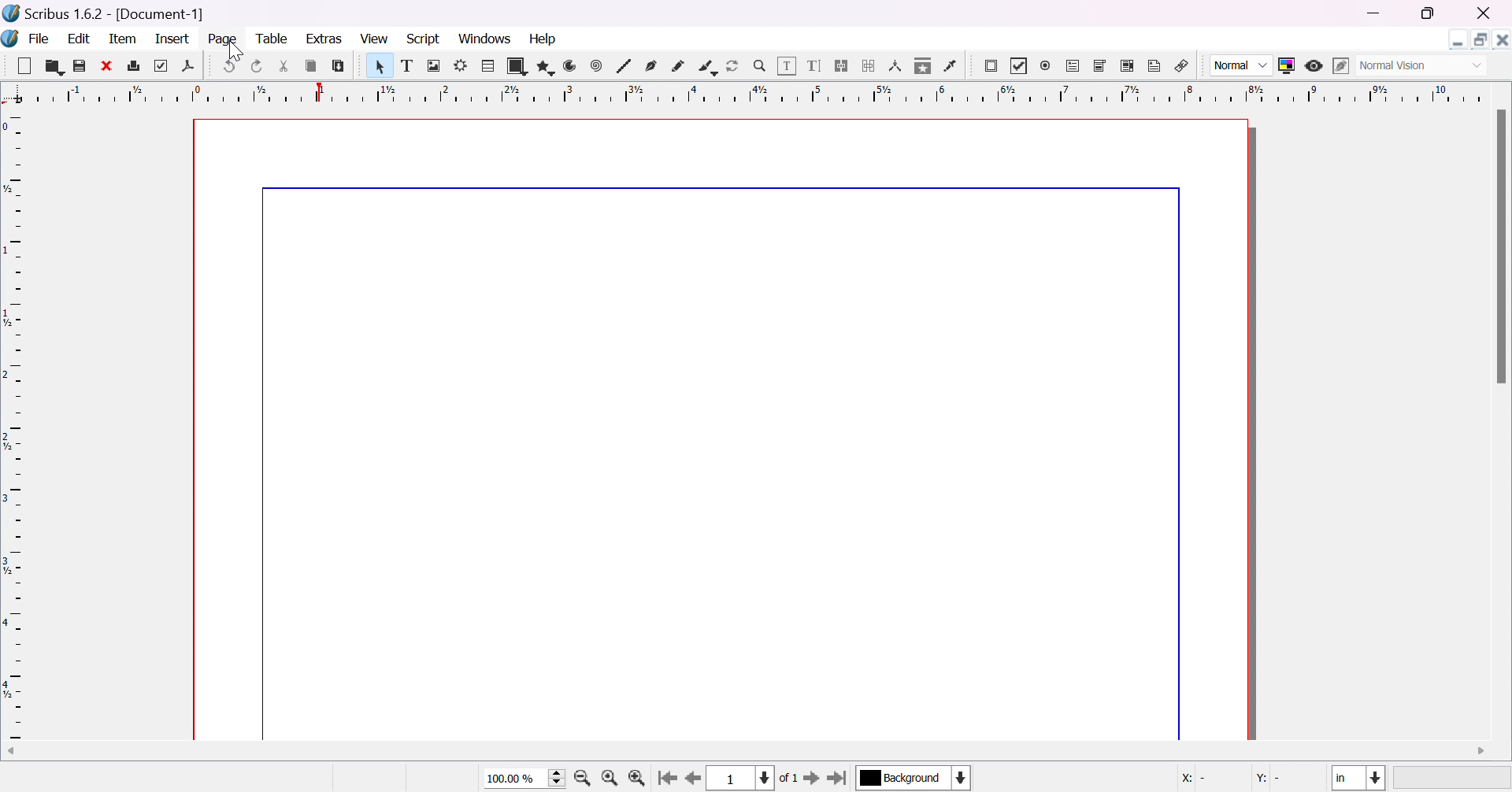  I want to click on zoom to 100%, so click(610, 777).